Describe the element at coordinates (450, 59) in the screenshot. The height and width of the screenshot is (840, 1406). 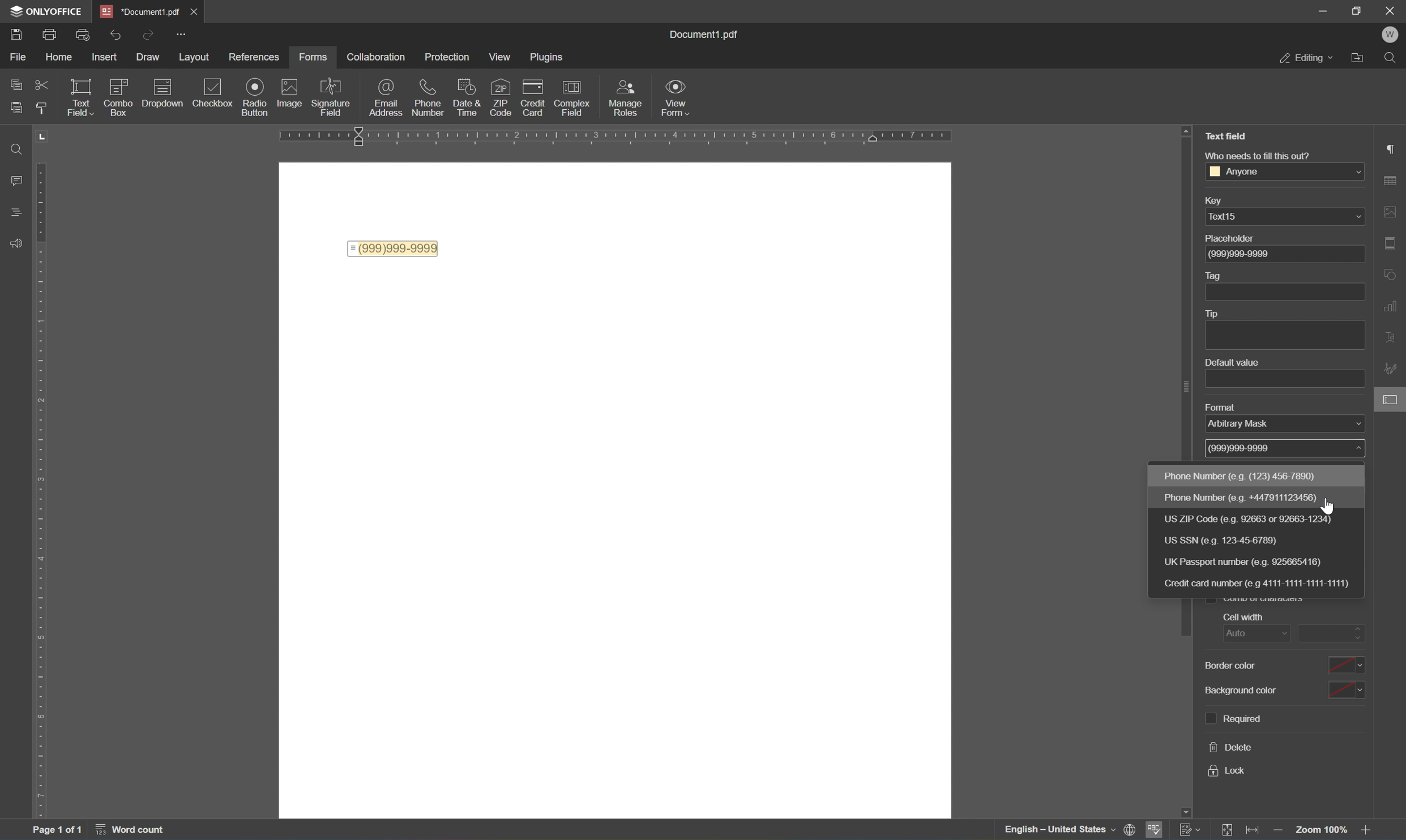
I see `protection` at that location.